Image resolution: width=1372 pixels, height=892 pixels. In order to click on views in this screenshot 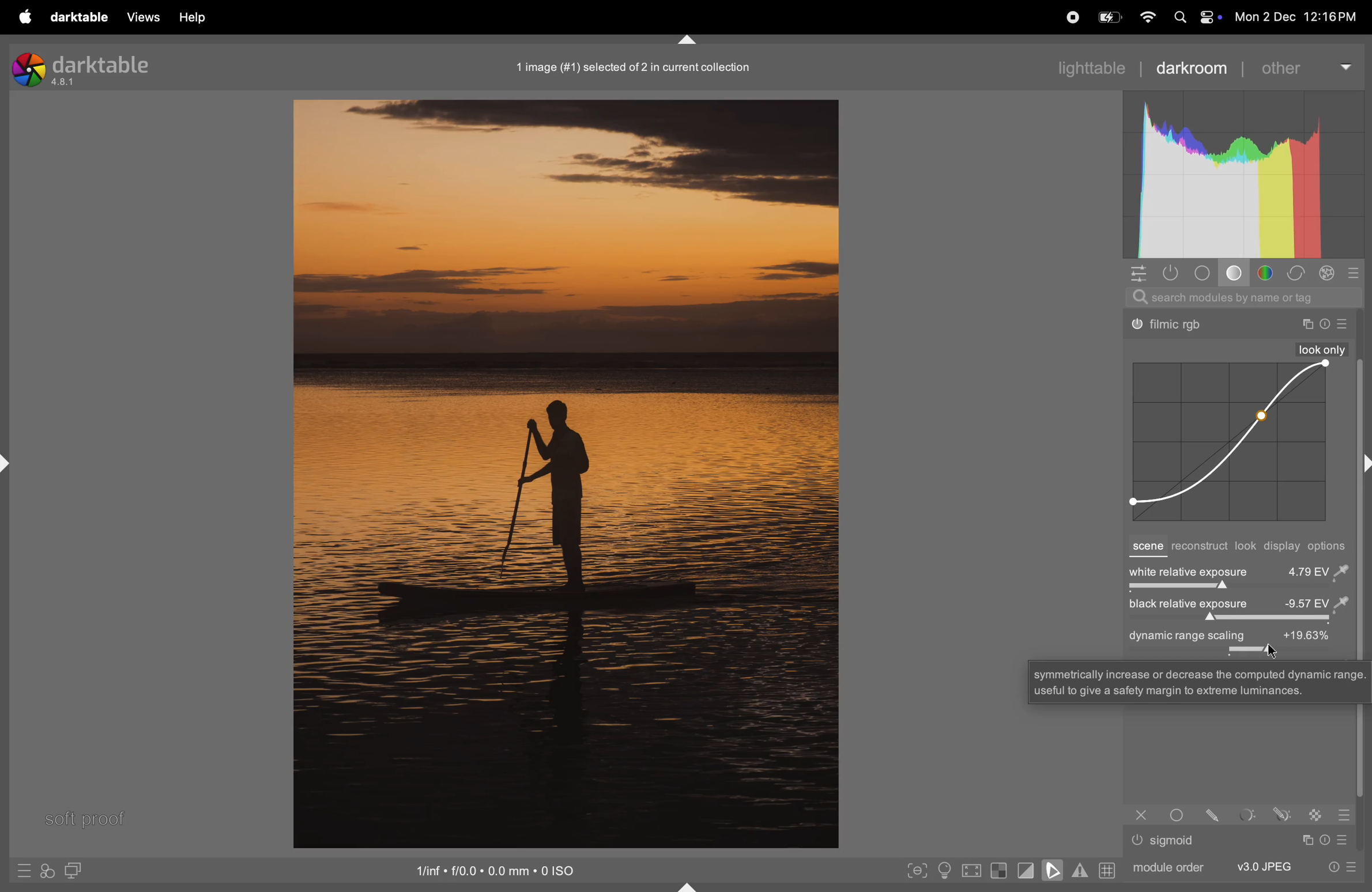, I will do `click(140, 17)`.